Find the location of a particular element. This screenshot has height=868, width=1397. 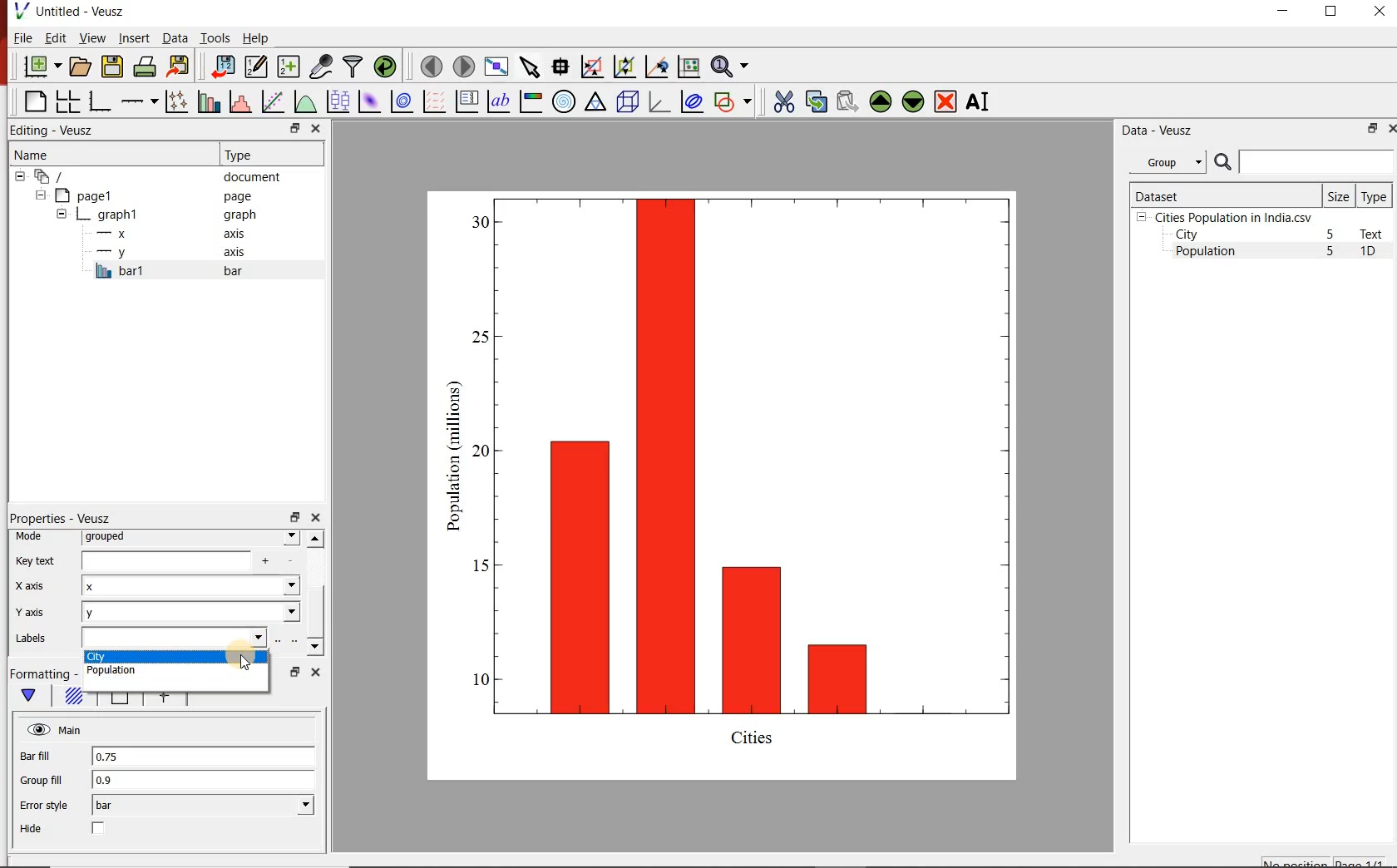

search dataset is located at coordinates (1305, 162).